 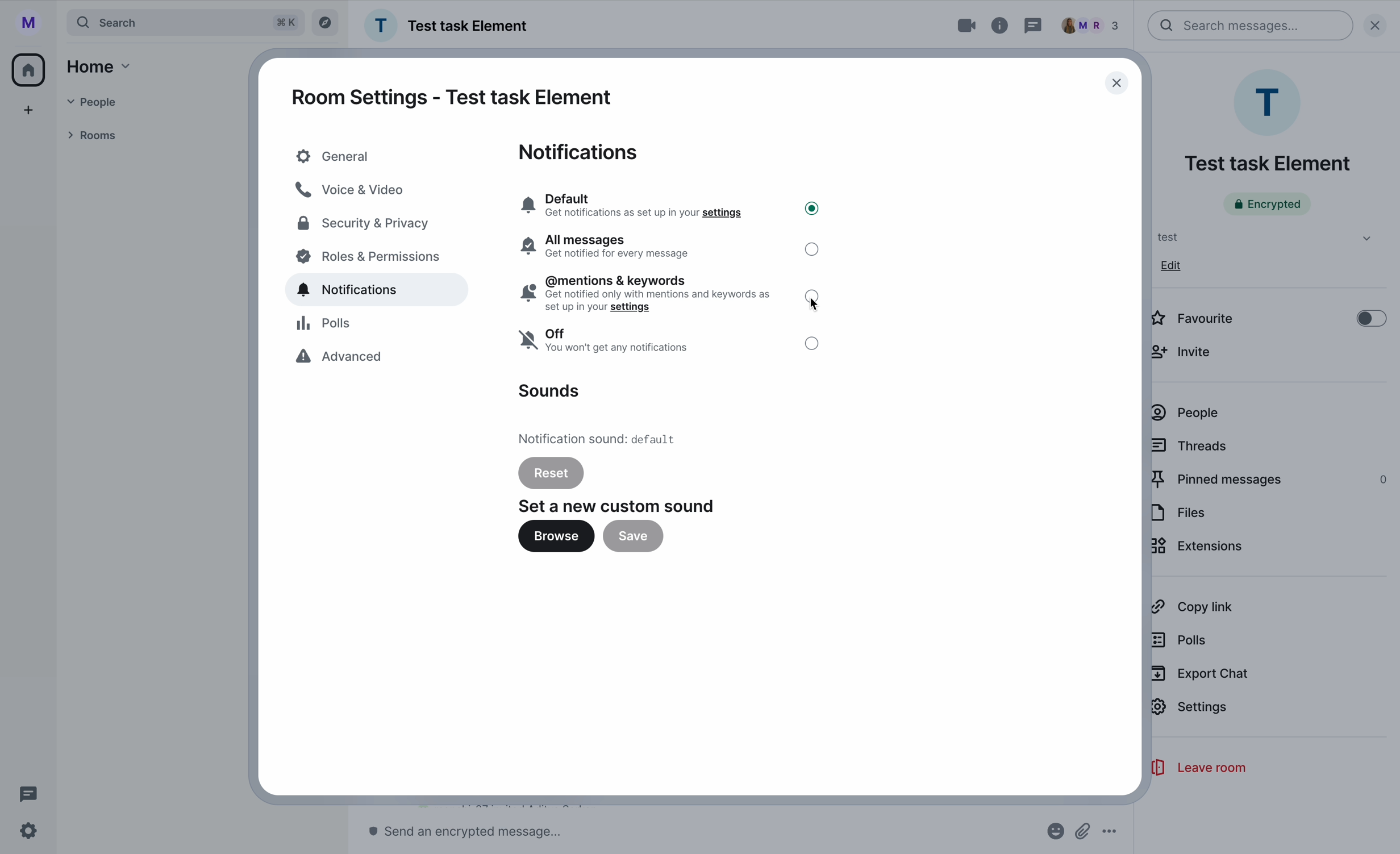 What do you see at coordinates (582, 152) in the screenshot?
I see `notifications` at bounding box center [582, 152].